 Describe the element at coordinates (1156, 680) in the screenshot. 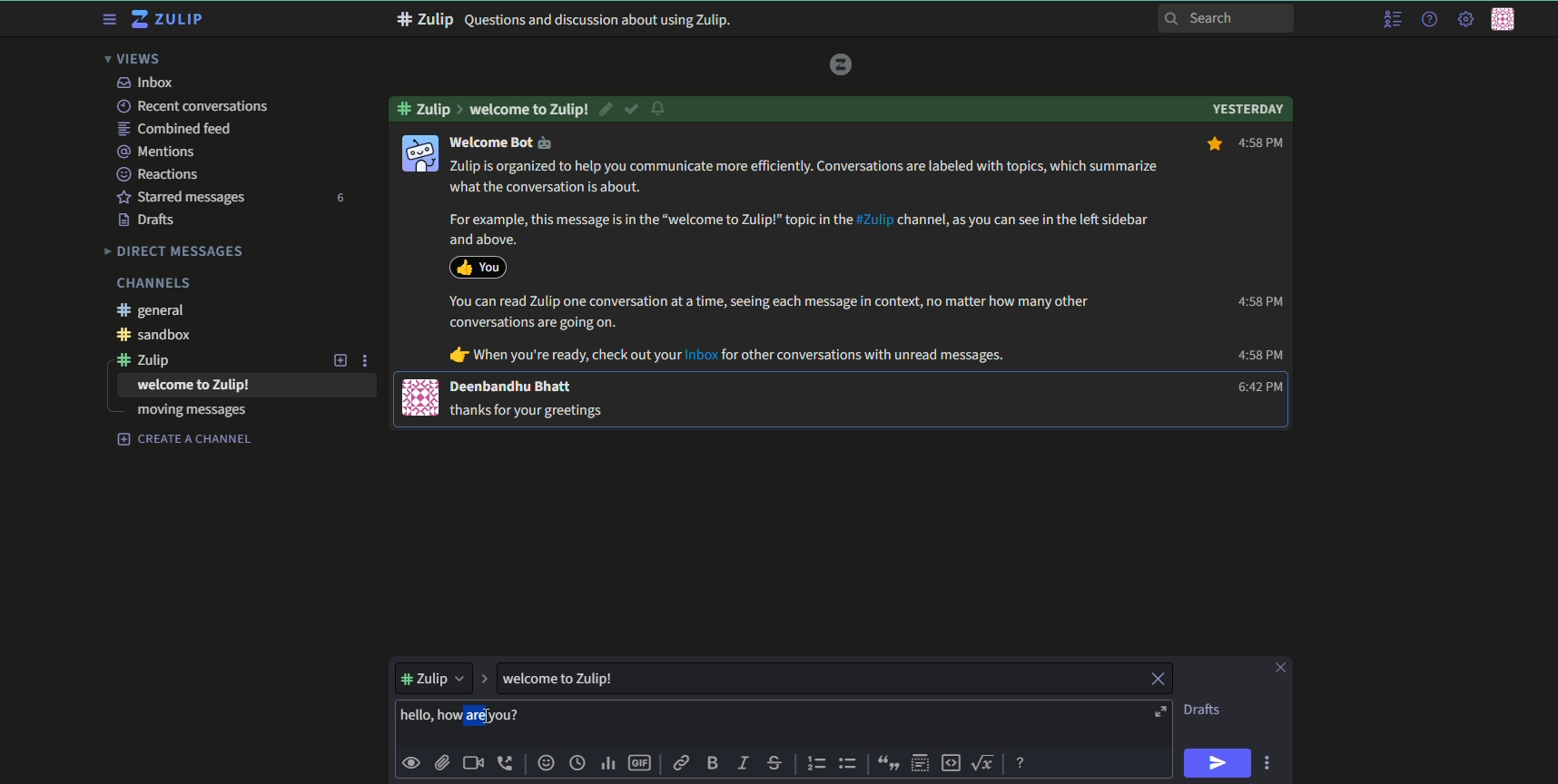

I see `close` at that location.